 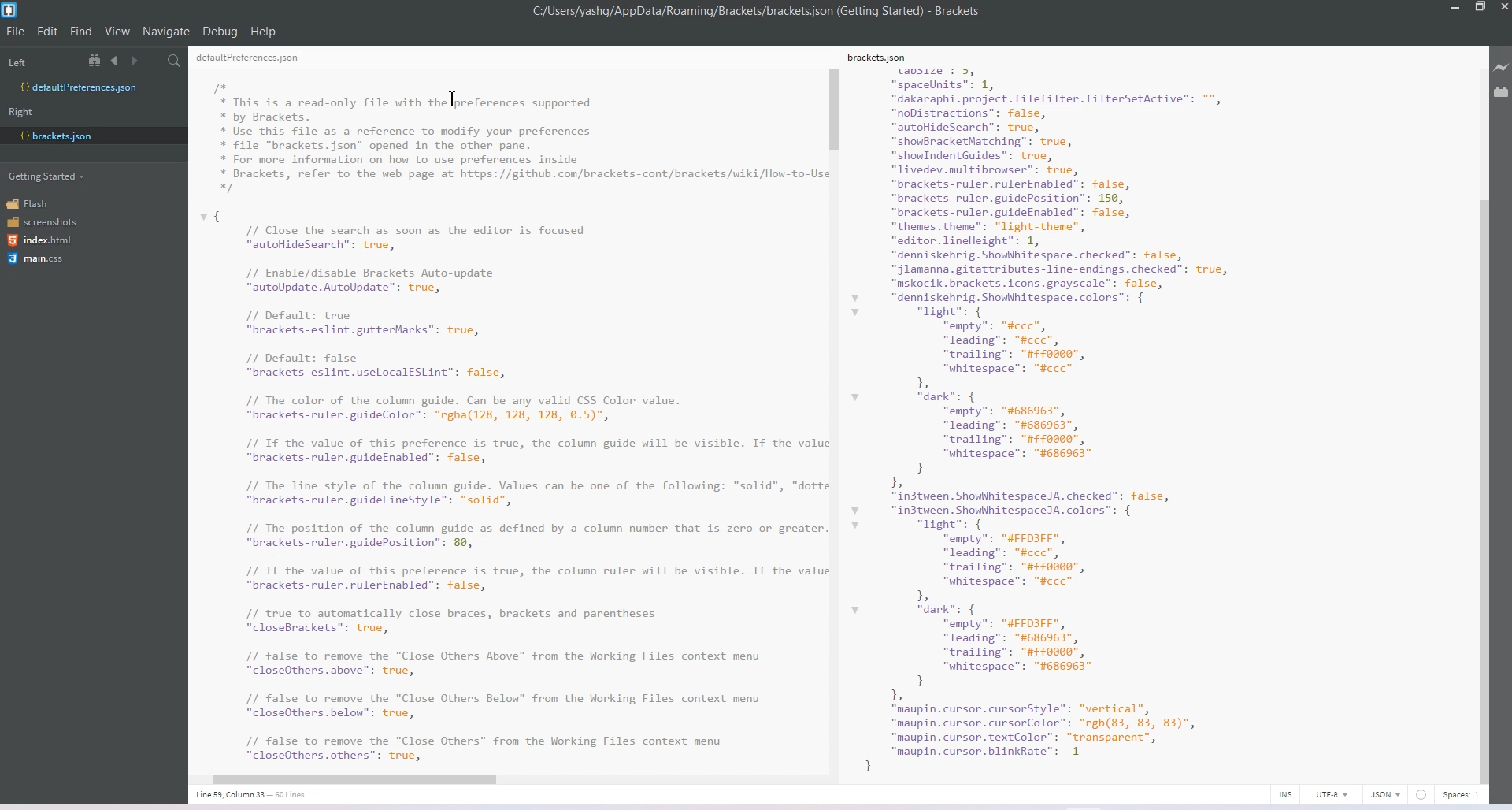 What do you see at coordinates (35, 258) in the screenshot?
I see `main.css` at bounding box center [35, 258].